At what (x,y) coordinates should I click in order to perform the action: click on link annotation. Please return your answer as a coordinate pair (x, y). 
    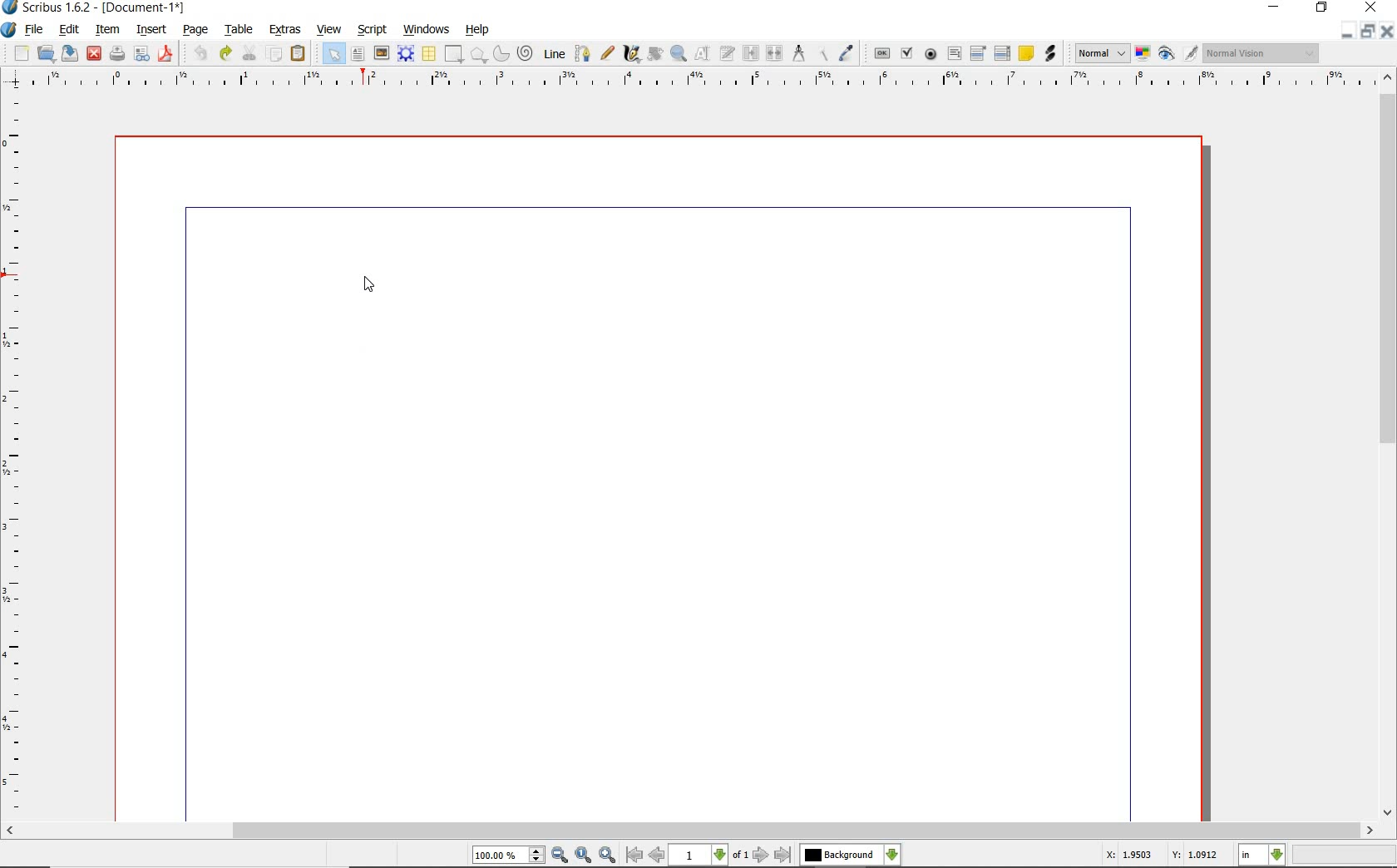
    Looking at the image, I should click on (1049, 53).